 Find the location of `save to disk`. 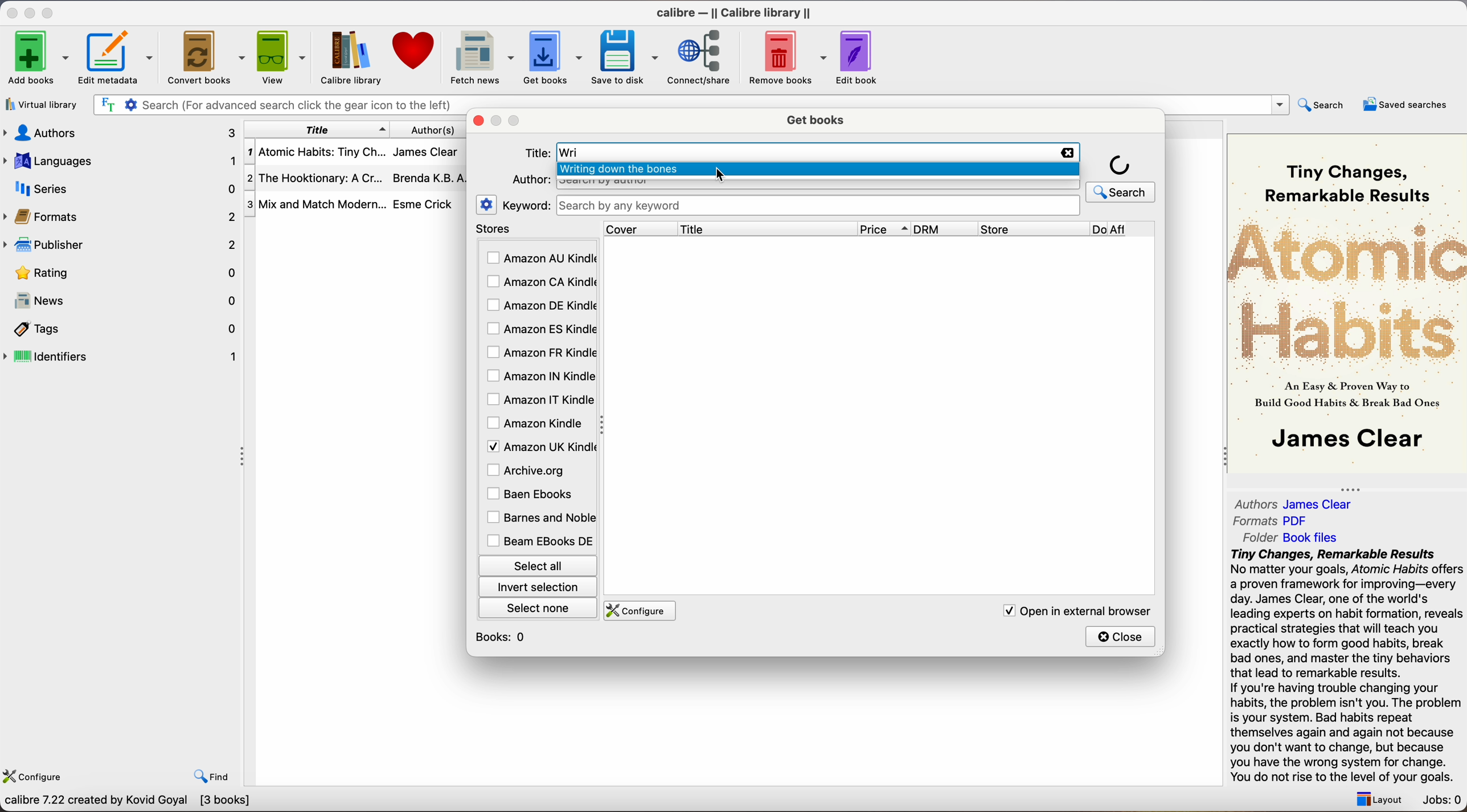

save to disk is located at coordinates (625, 58).